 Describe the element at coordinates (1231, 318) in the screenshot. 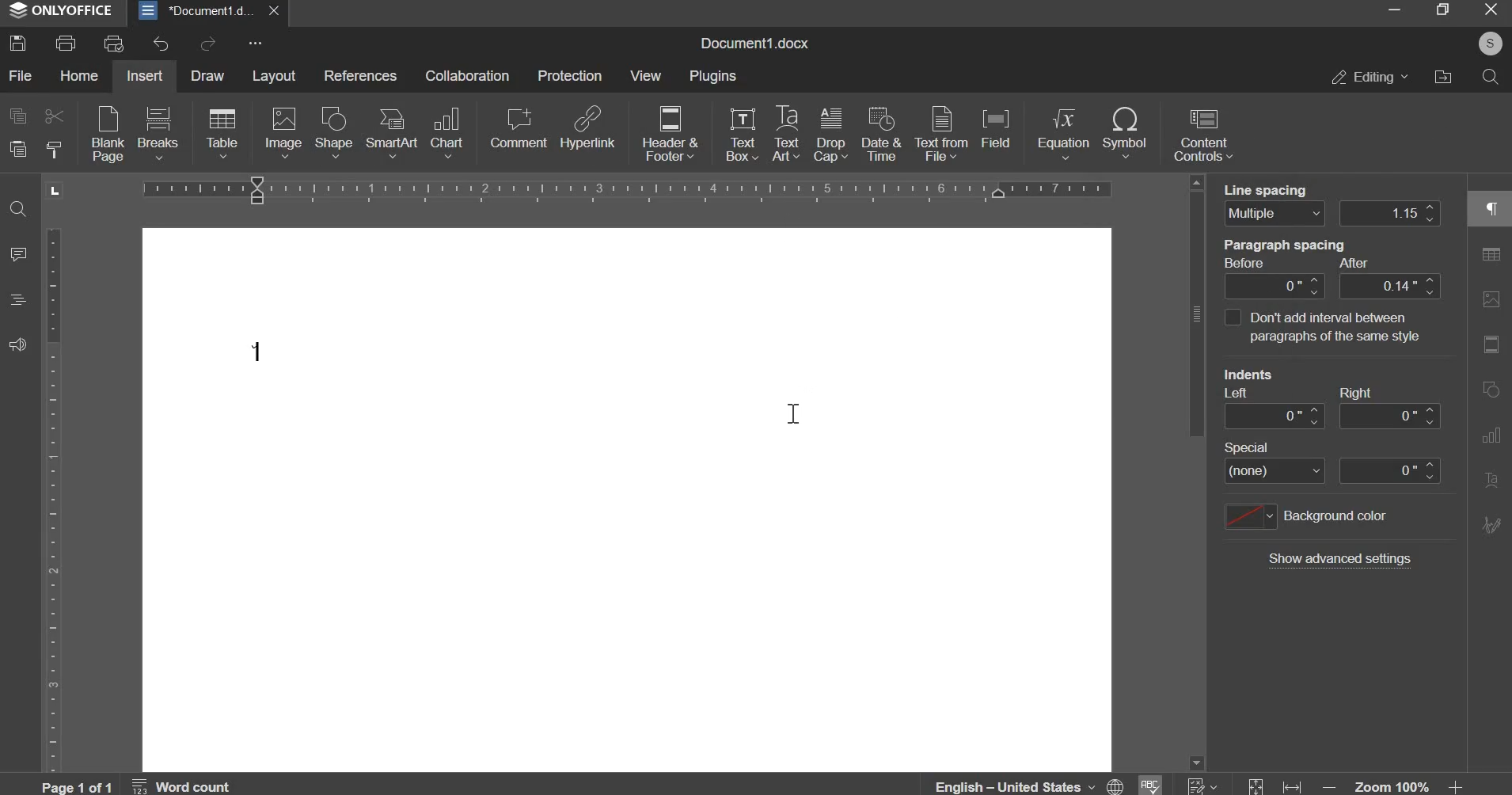

I see `interval between paragraphs` at that location.